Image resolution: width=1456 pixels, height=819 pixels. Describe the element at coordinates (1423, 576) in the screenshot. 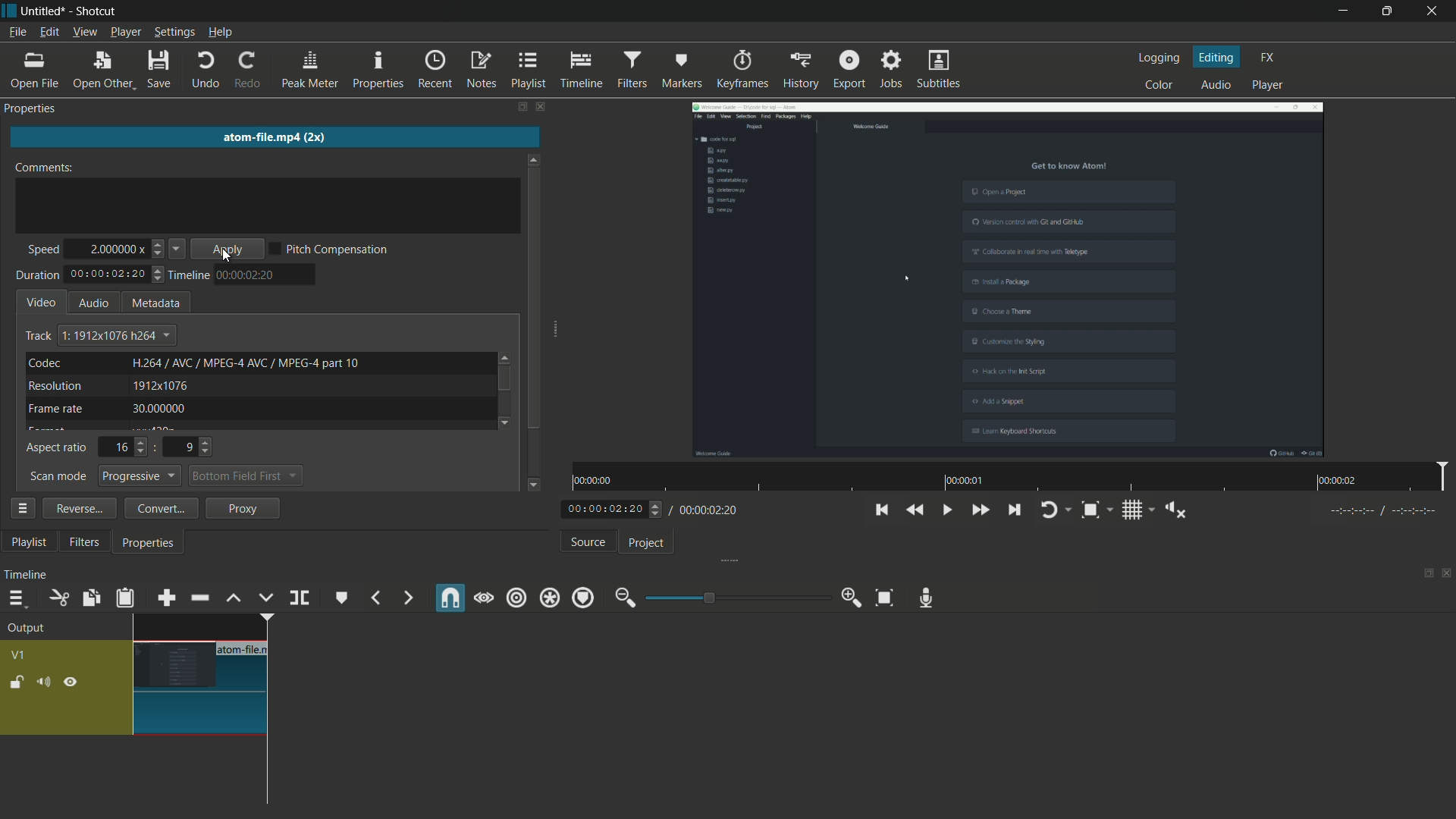

I see `change layout` at that location.